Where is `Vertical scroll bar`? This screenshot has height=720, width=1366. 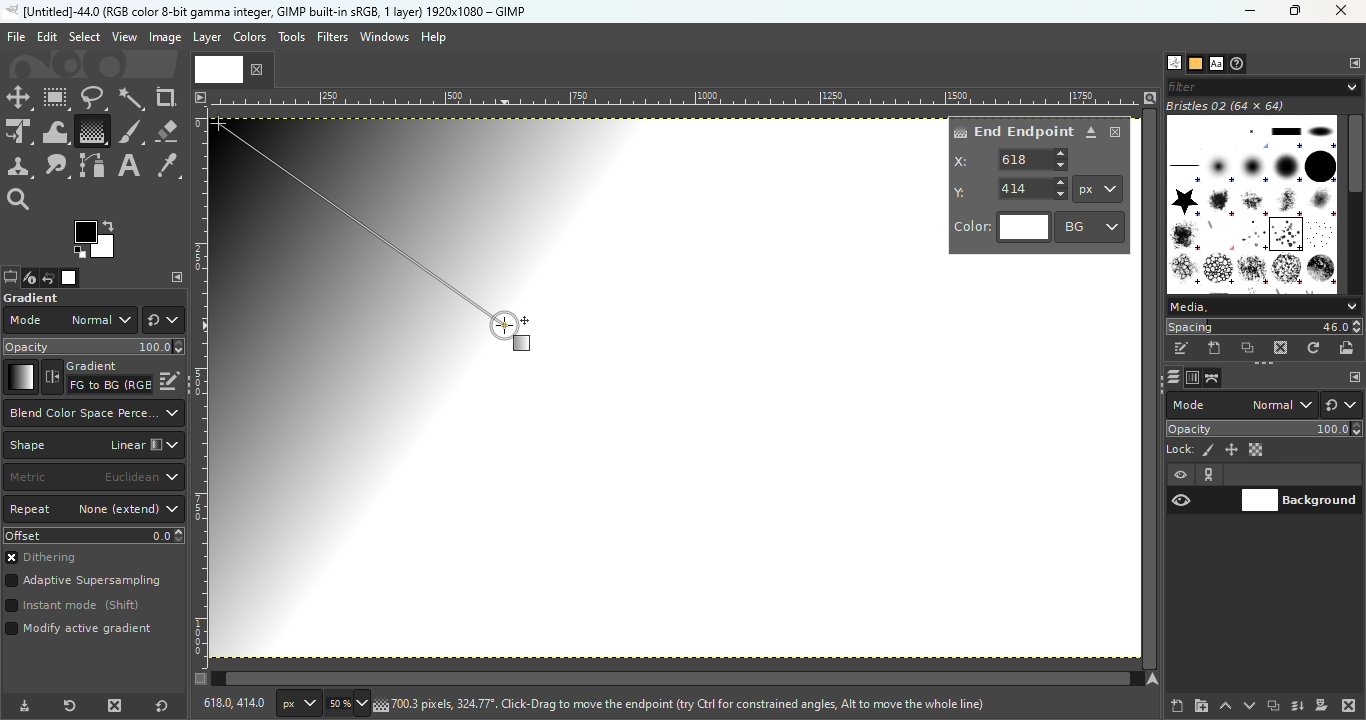 Vertical scroll bar is located at coordinates (667, 679).